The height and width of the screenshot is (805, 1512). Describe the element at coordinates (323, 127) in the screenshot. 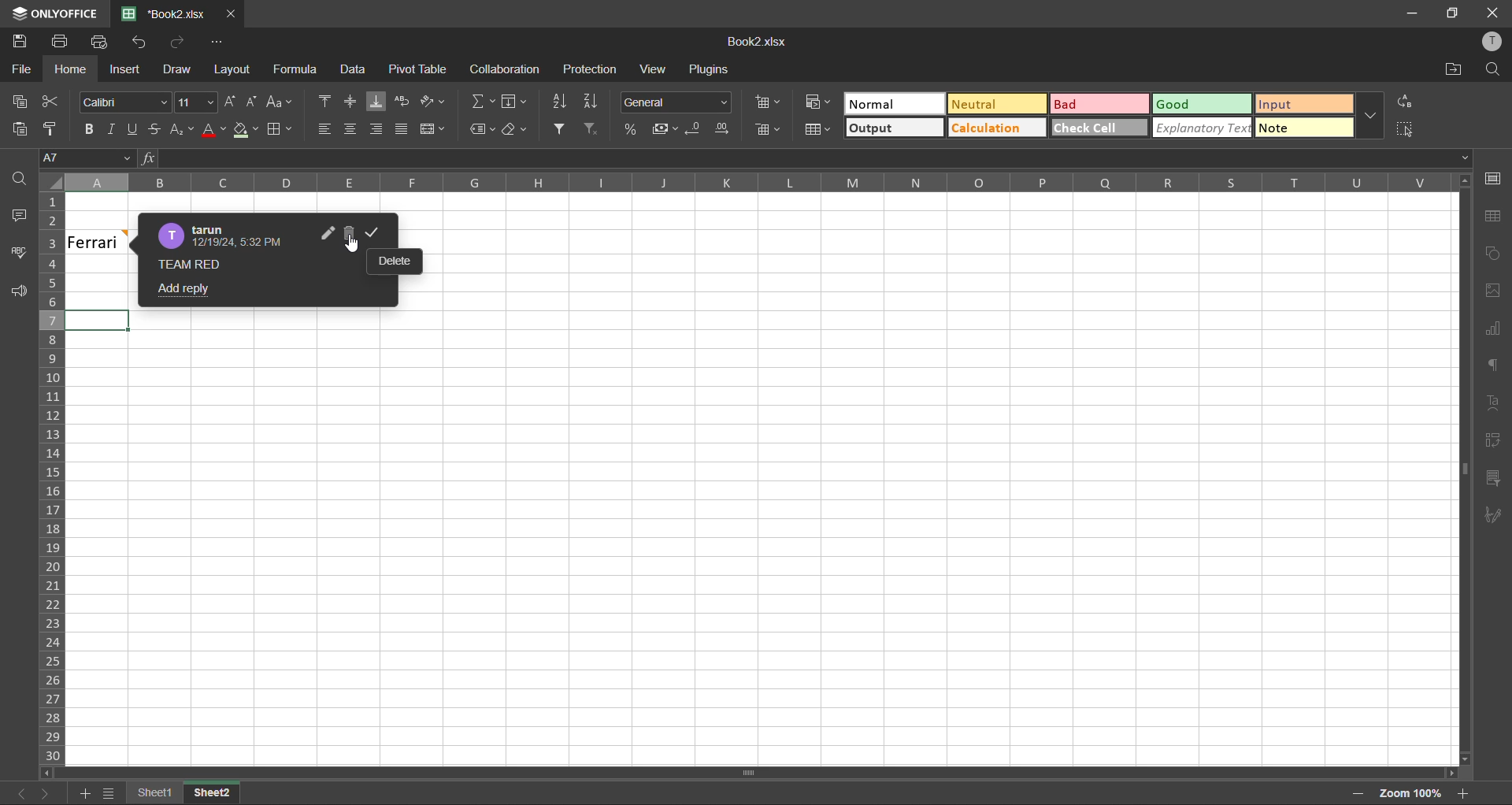

I see `align left` at that location.